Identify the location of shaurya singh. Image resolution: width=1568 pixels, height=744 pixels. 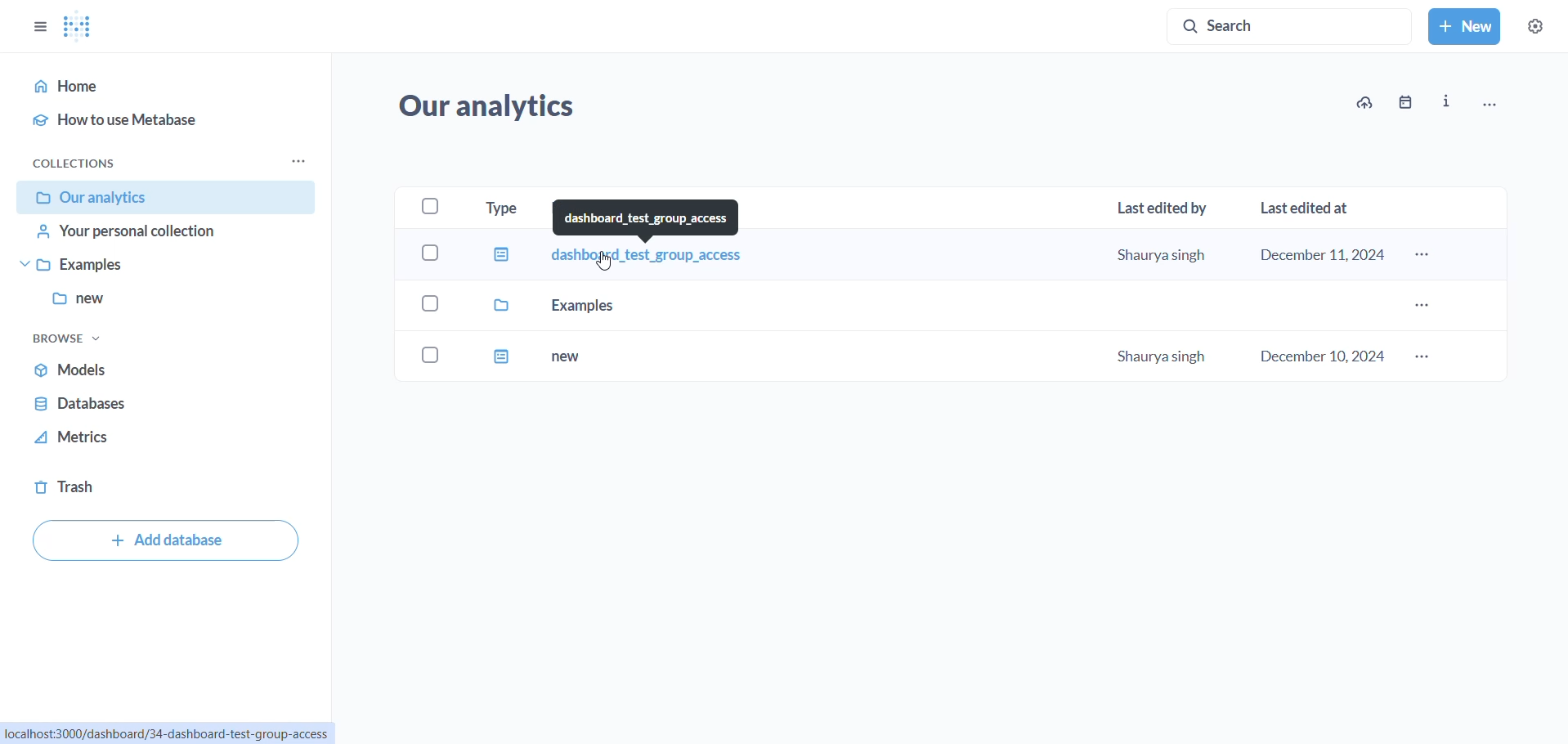
(1167, 355).